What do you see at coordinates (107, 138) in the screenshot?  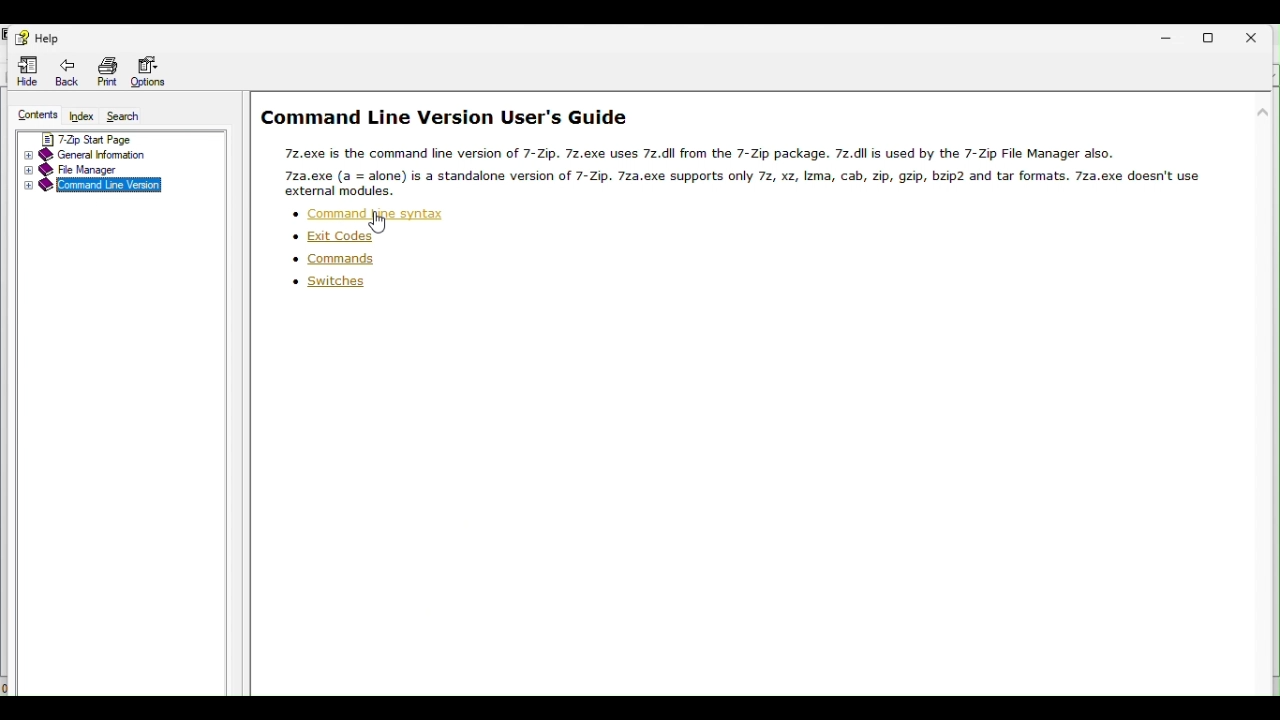 I see `7 zip start page` at bounding box center [107, 138].